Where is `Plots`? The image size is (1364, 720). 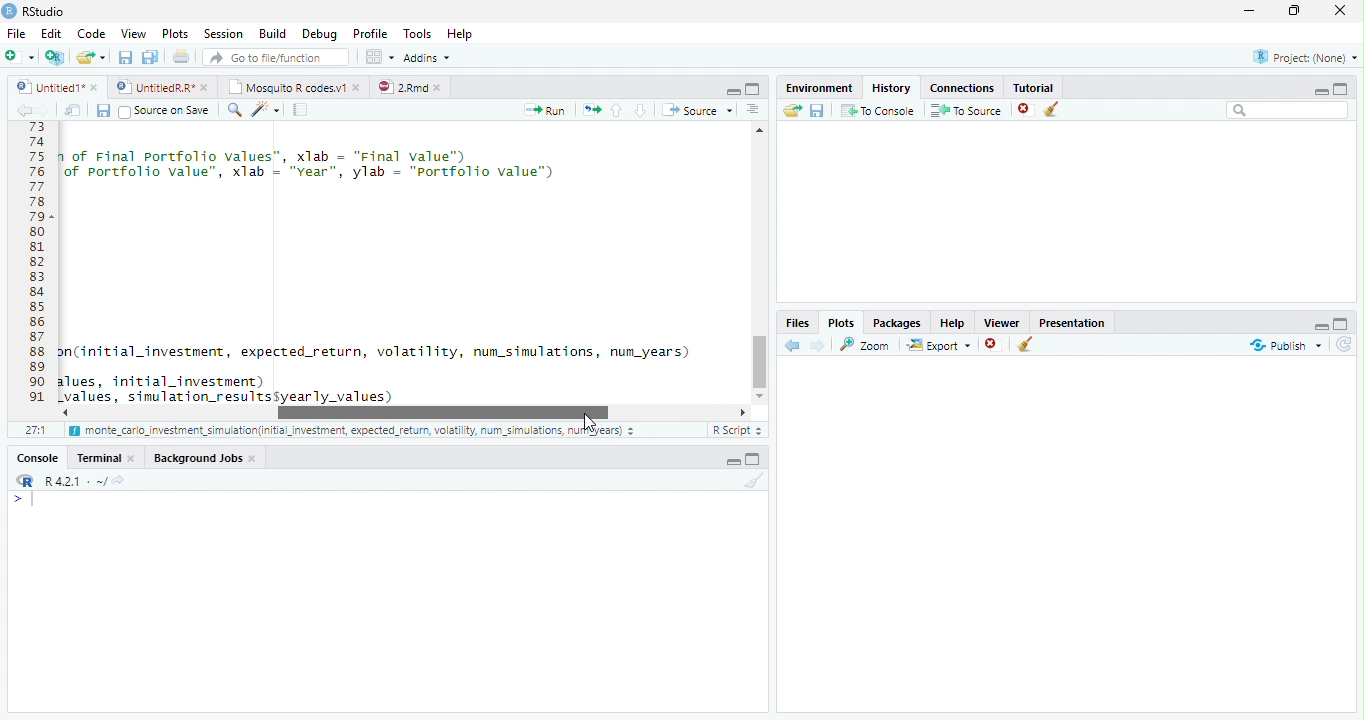 Plots is located at coordinates (841, 322).